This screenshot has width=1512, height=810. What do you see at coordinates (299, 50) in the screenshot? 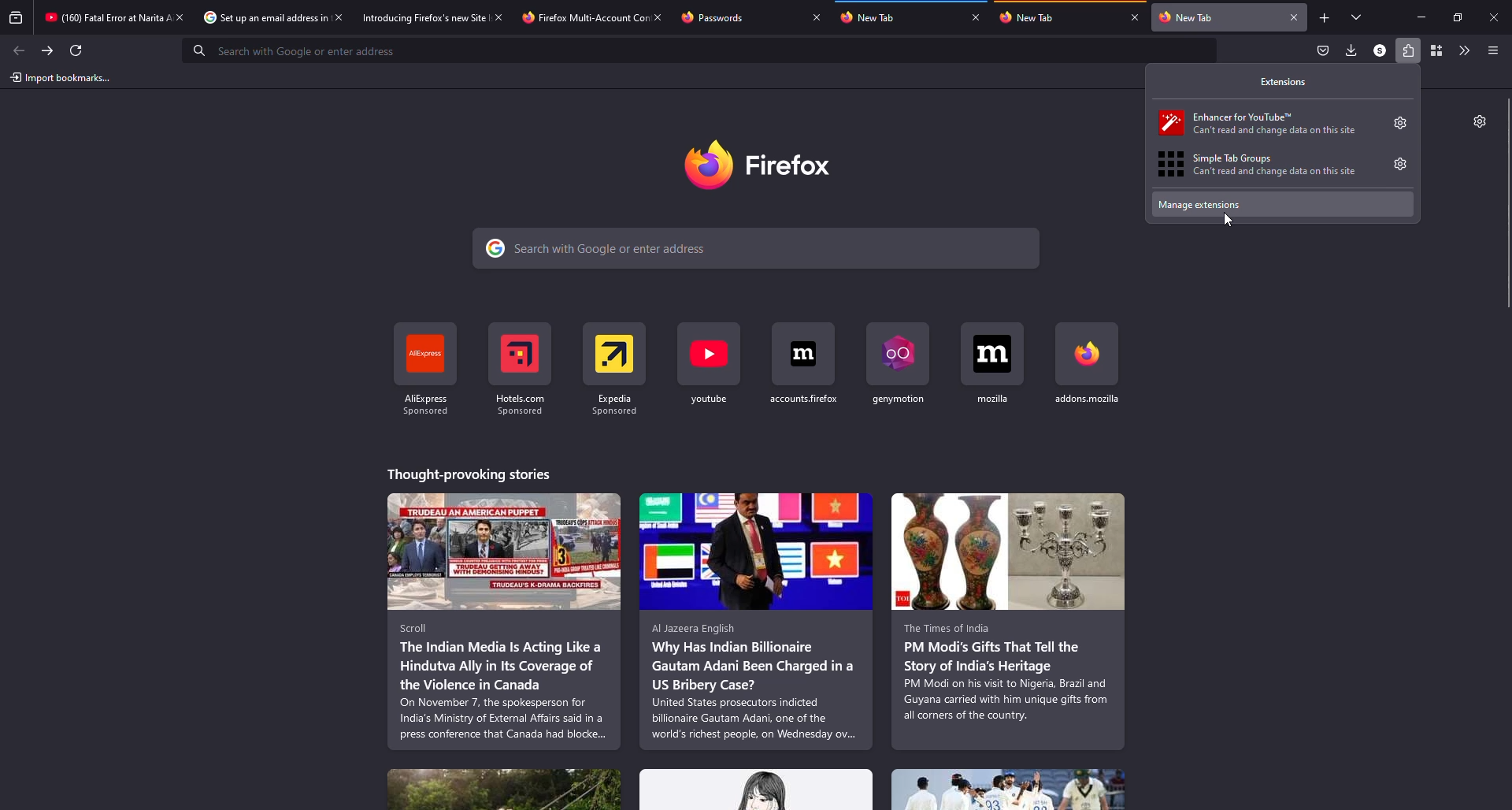
I see `search` at bounding box center [299, 50].